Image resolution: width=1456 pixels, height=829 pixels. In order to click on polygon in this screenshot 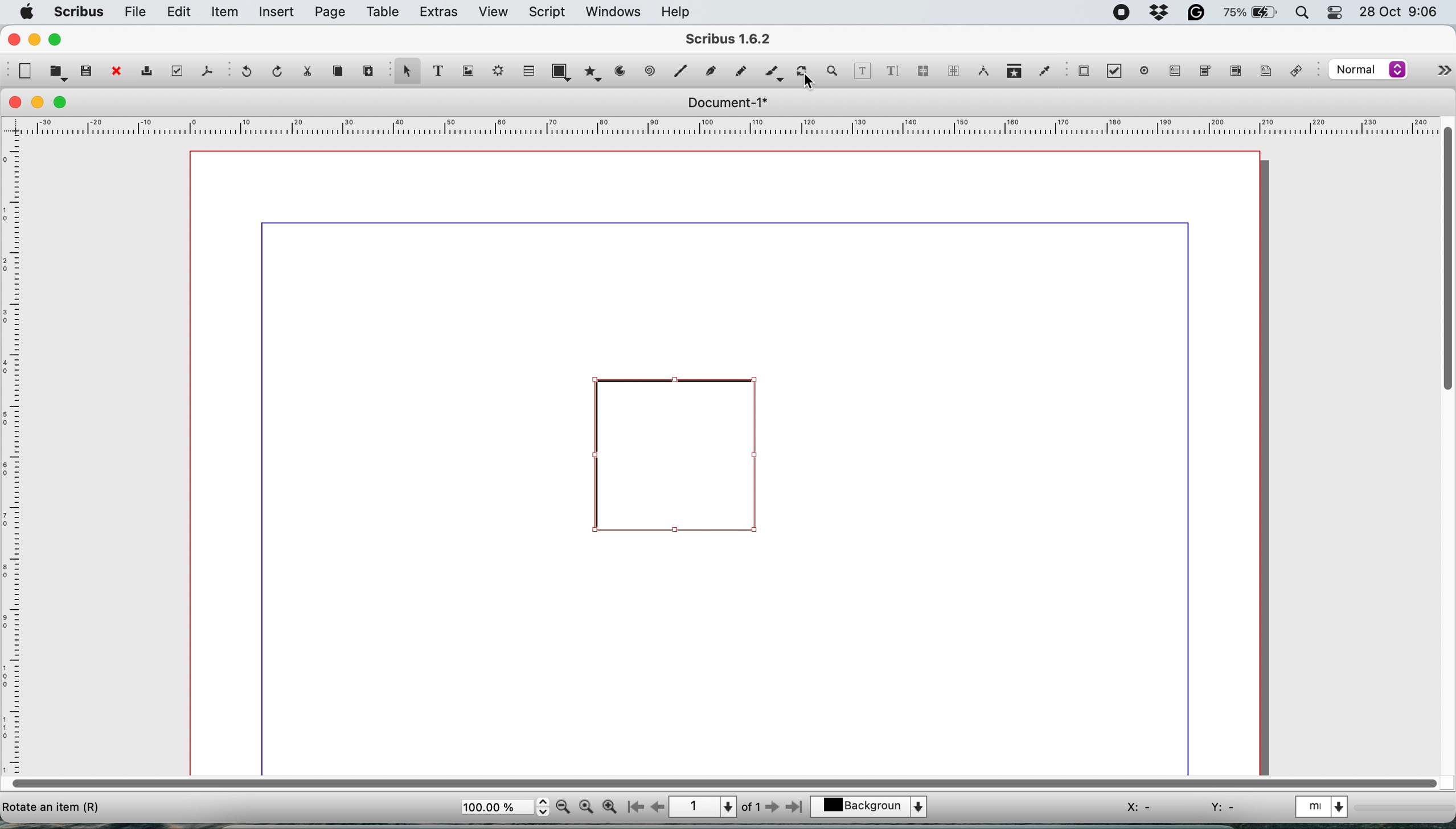, I will do `click(592, 75)`.